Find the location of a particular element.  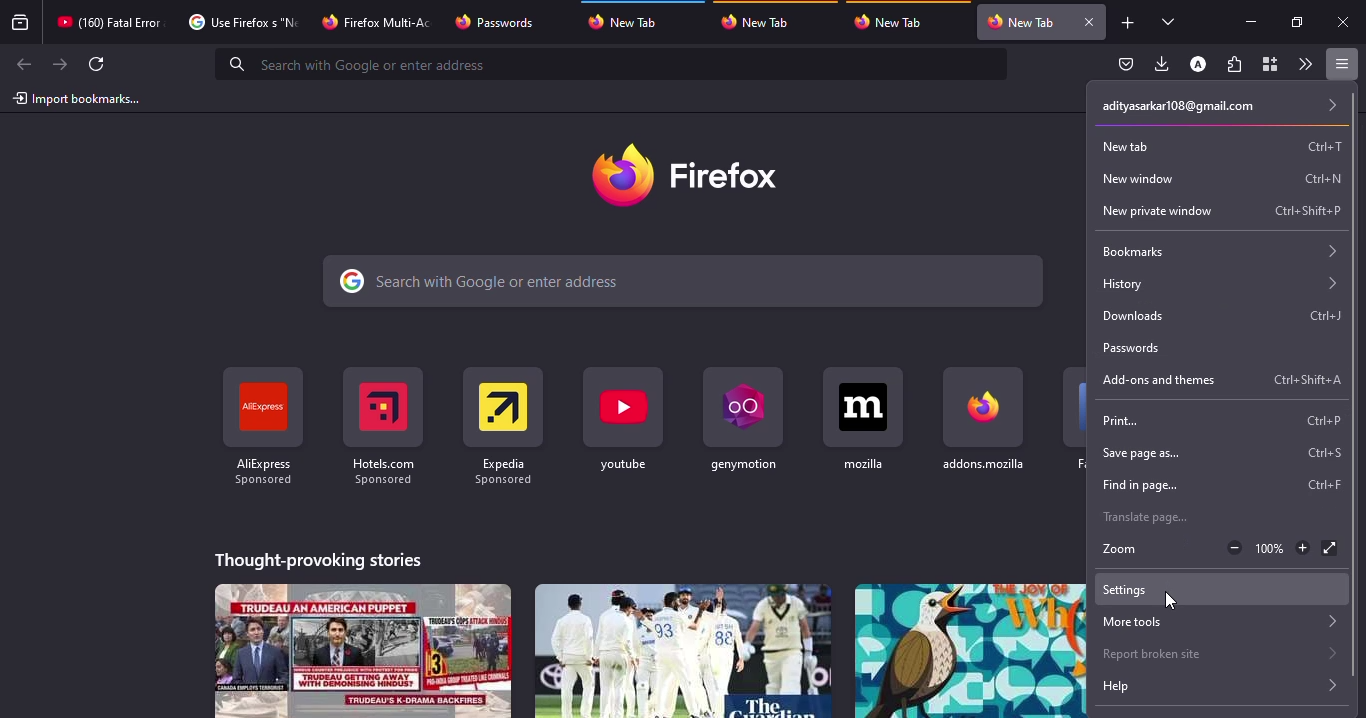

tab is located at coordinates (240, 22).